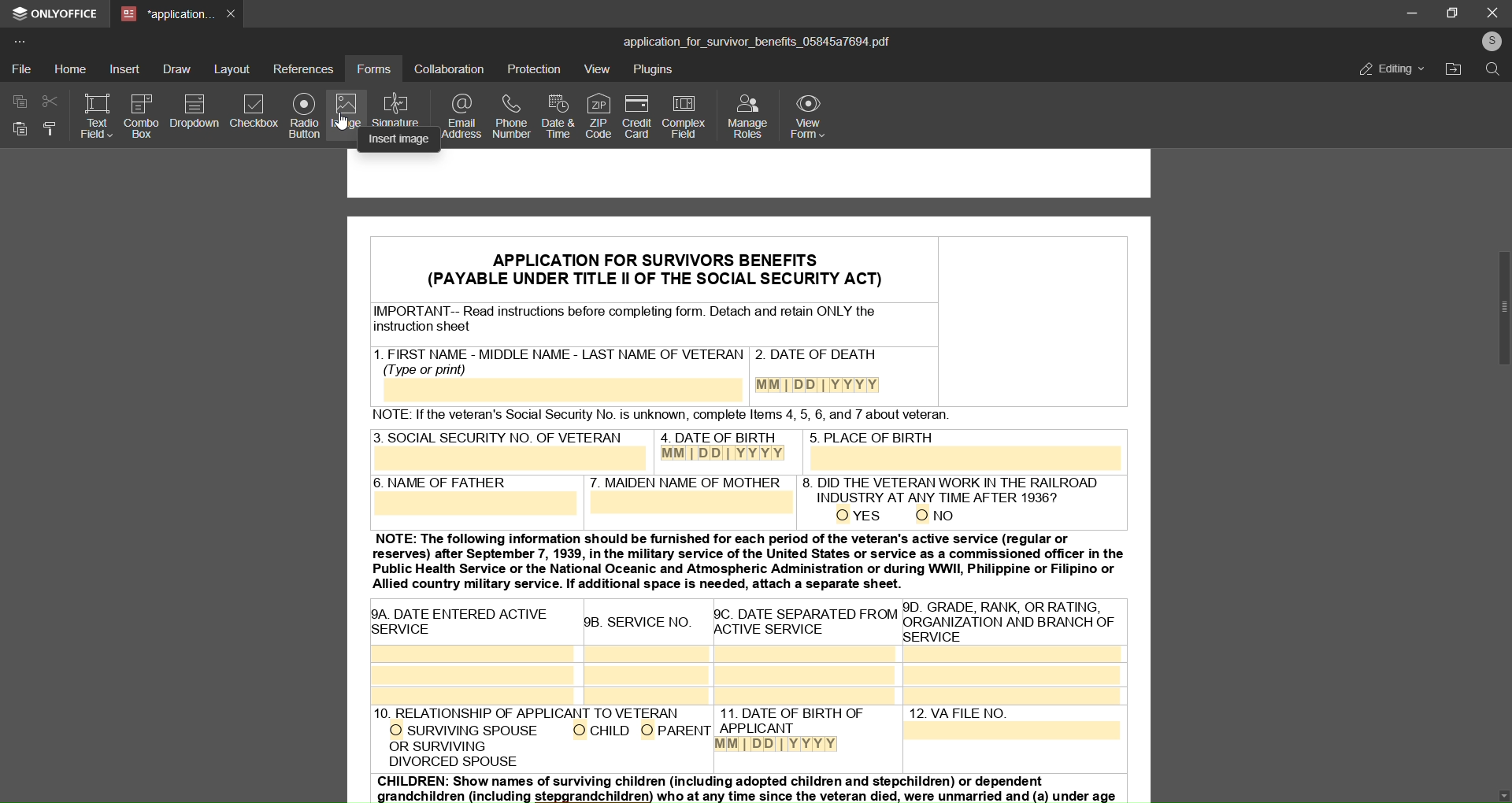  What do you see at coordinates (1455, 70) in the screenshot?
I see `open file` at bounding box center [1455, 70].